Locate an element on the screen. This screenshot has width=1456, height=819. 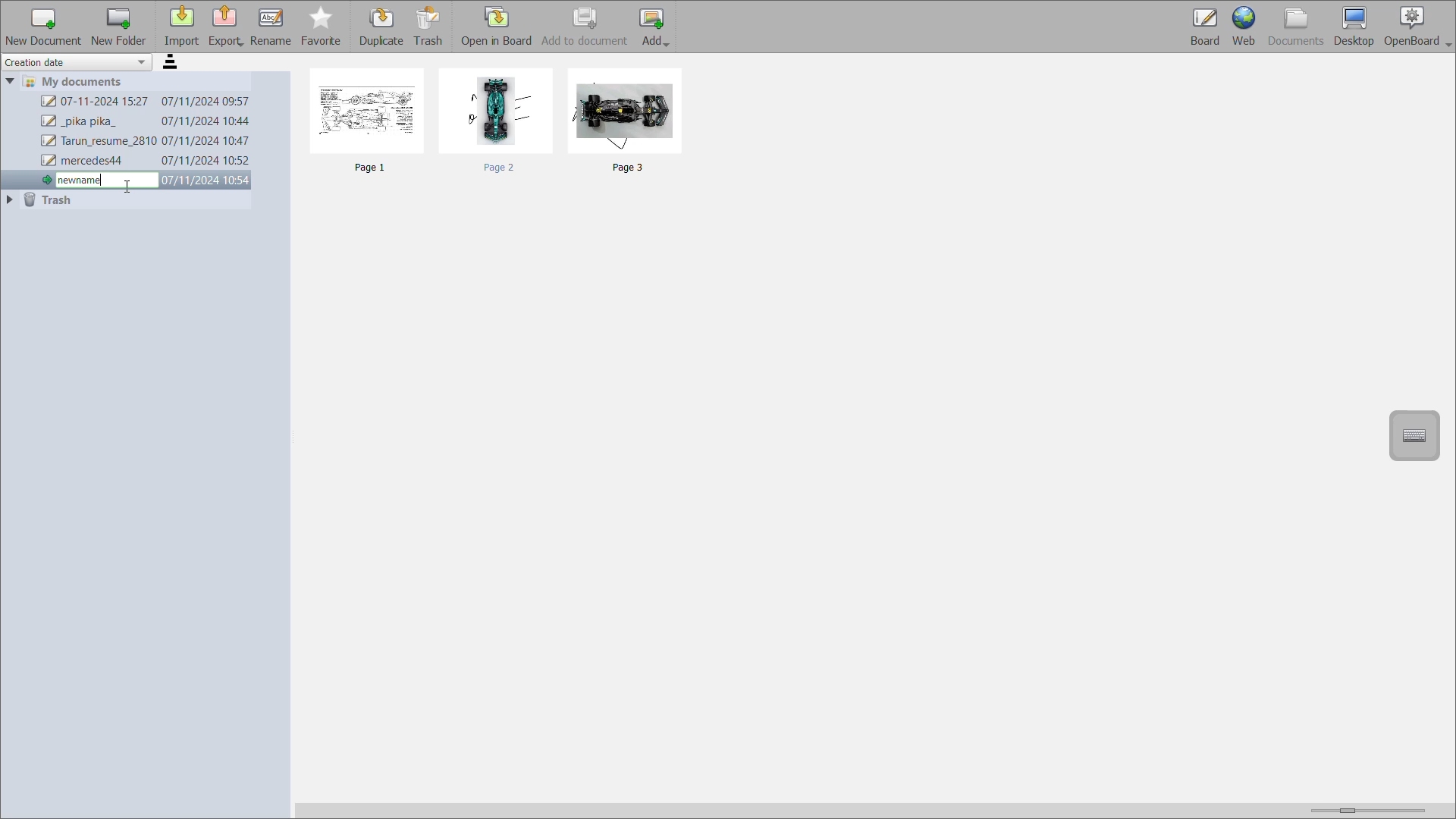
documents is located at coordinates (1294, 27).